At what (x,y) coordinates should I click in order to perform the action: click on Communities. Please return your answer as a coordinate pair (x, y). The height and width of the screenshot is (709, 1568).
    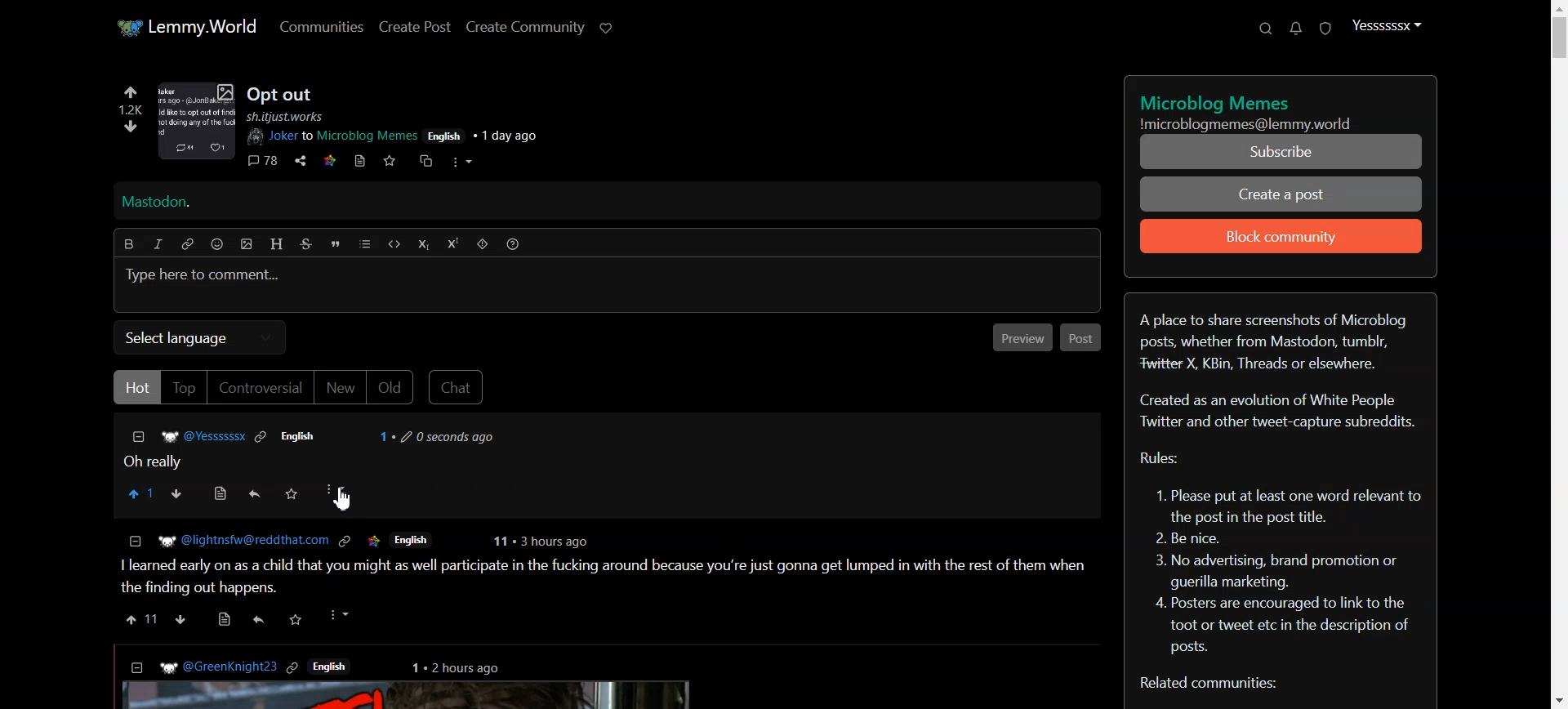
    Looking at the image, I should click on (320, 26).